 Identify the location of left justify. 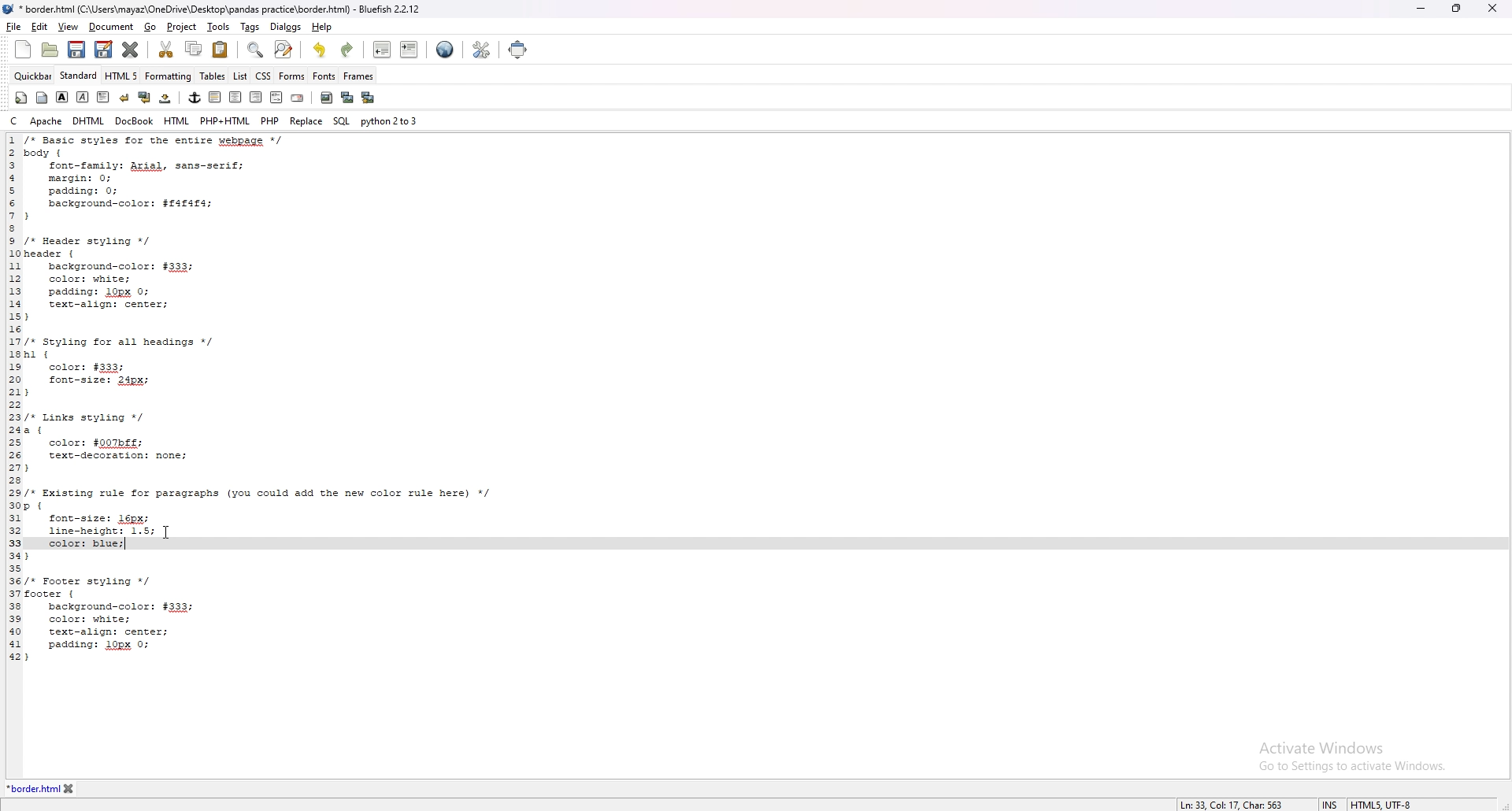
(216, 97).